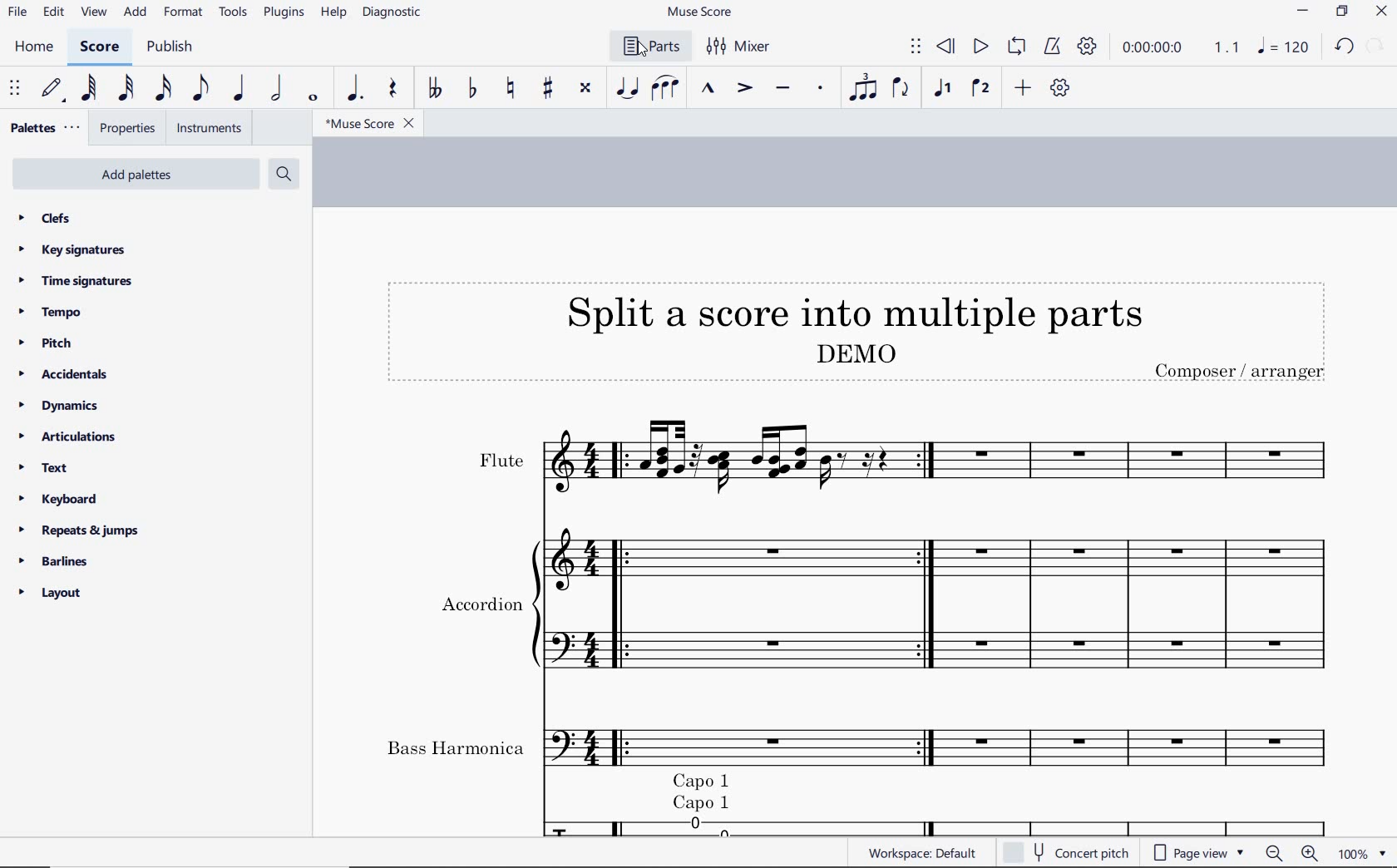 This screenshot has height=868, width=1397. I want to click on toggle flat, so click(471, 89).